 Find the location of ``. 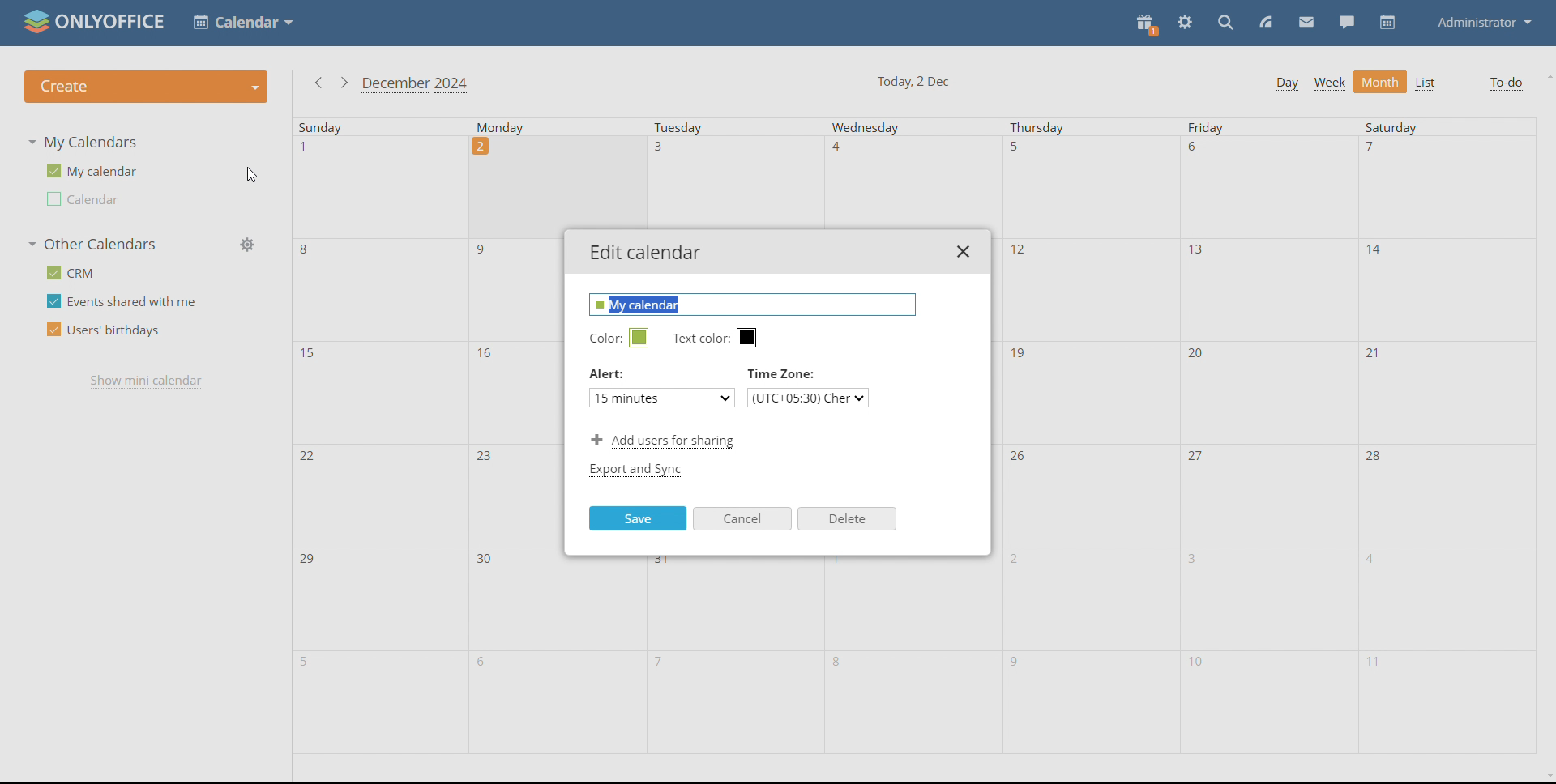

 is located at coordinates (558, 182).